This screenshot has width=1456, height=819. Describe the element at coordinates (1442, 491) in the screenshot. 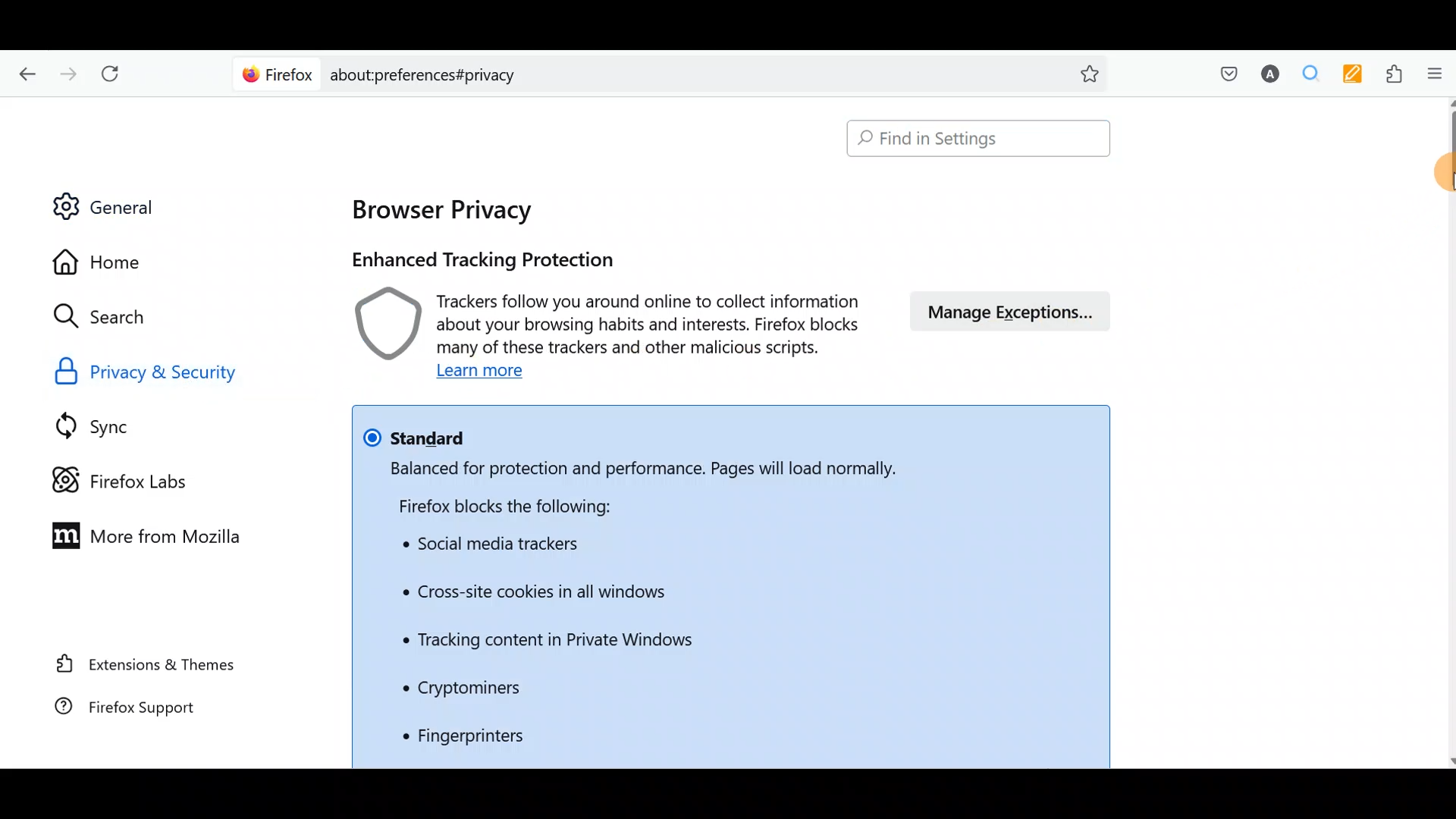

I see `Scroll bar` at that location.